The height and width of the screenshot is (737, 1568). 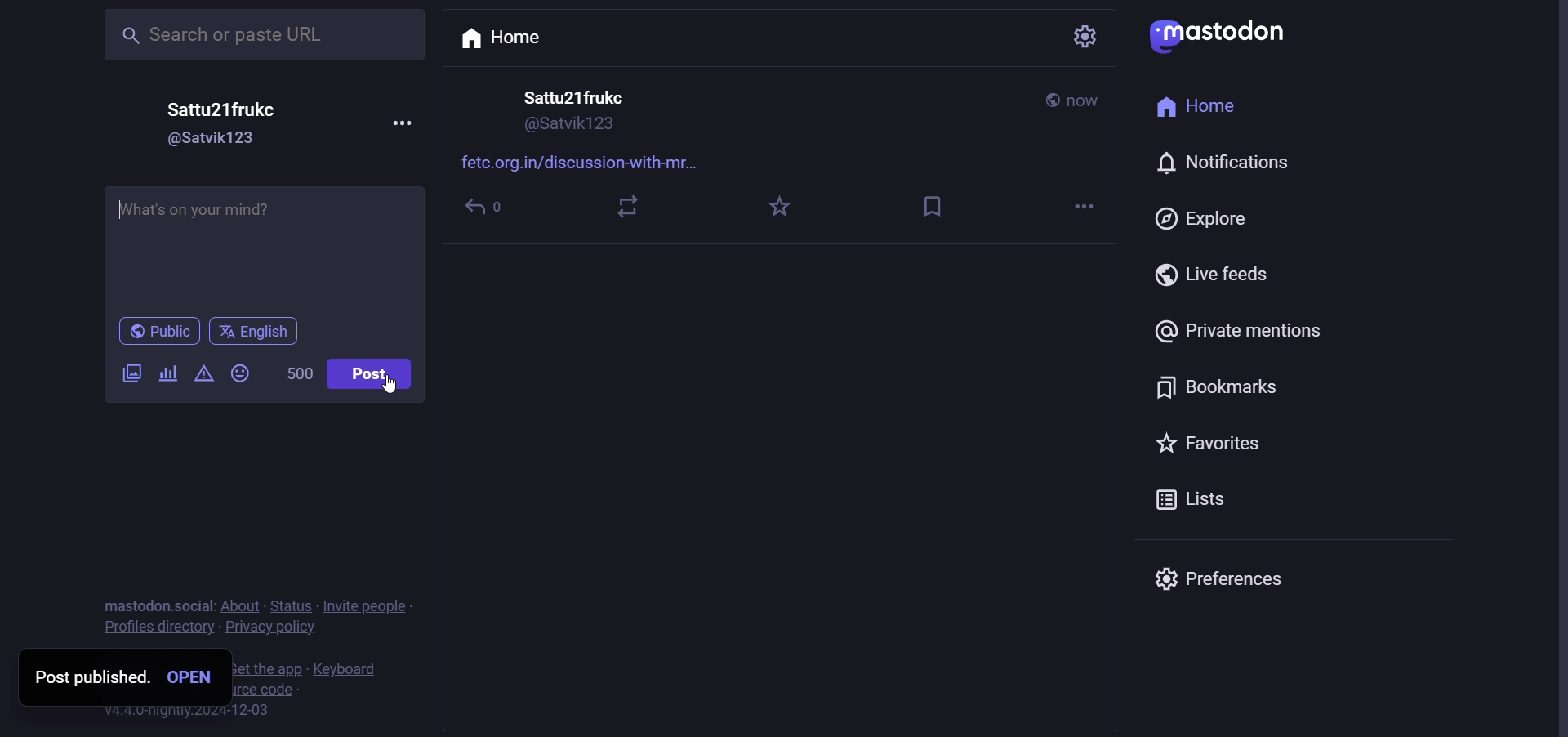 What do you see at coordinates (1090, 205) in the screenshot?
I see `more` at bounding box center [1090, 205].